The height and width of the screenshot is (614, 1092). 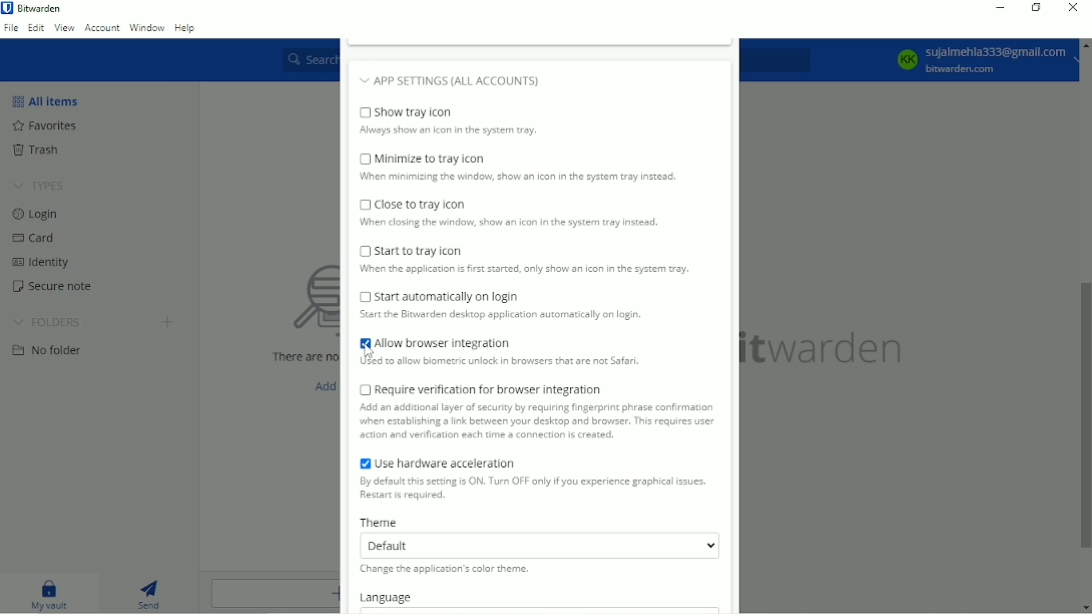 What do you see at coordinates (63, 27) in the screenshot?
I see `View` at bounding box center [63, 27].